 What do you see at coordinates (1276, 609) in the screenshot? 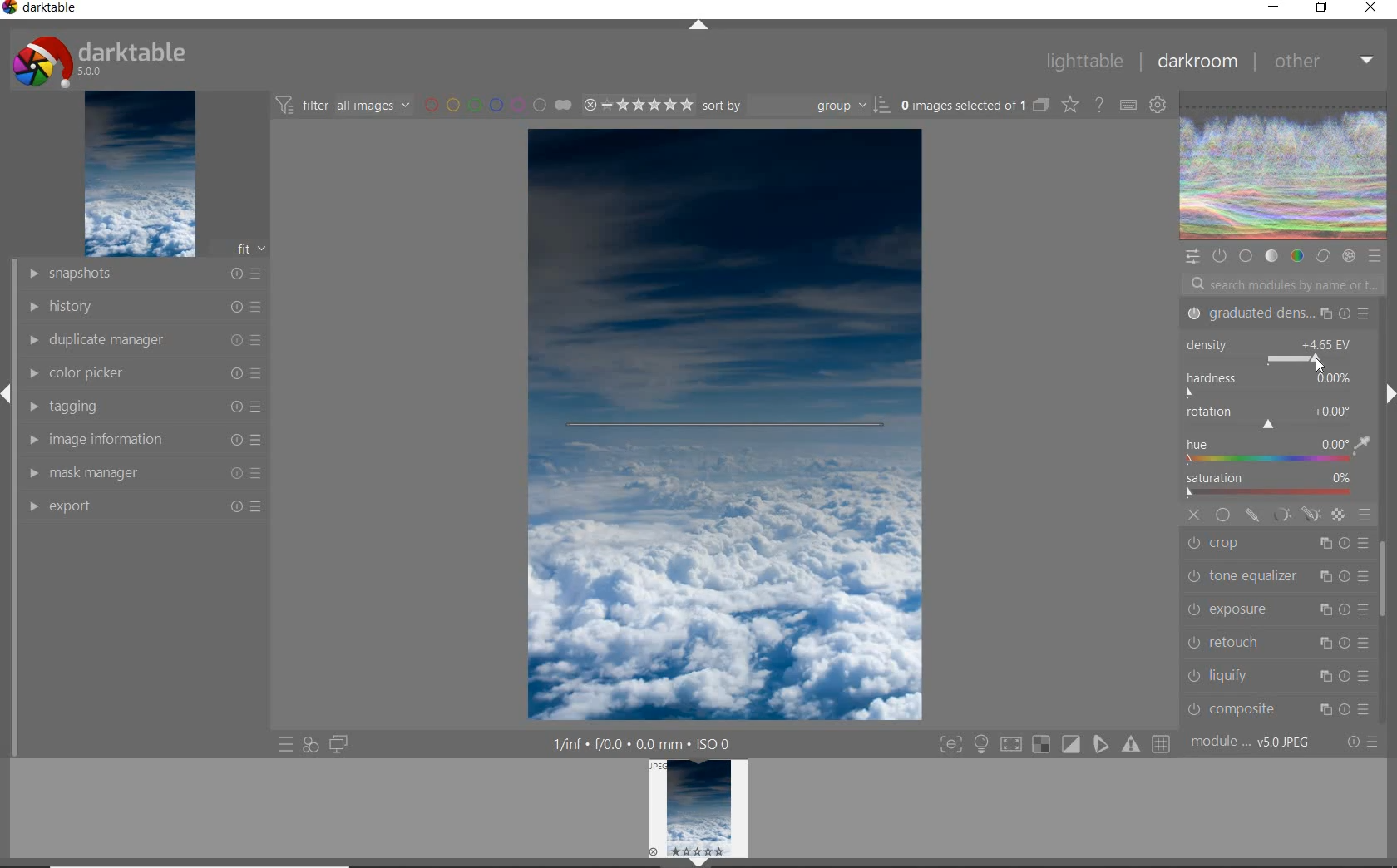
I see `exposure` at bounding box center [1276, 609].